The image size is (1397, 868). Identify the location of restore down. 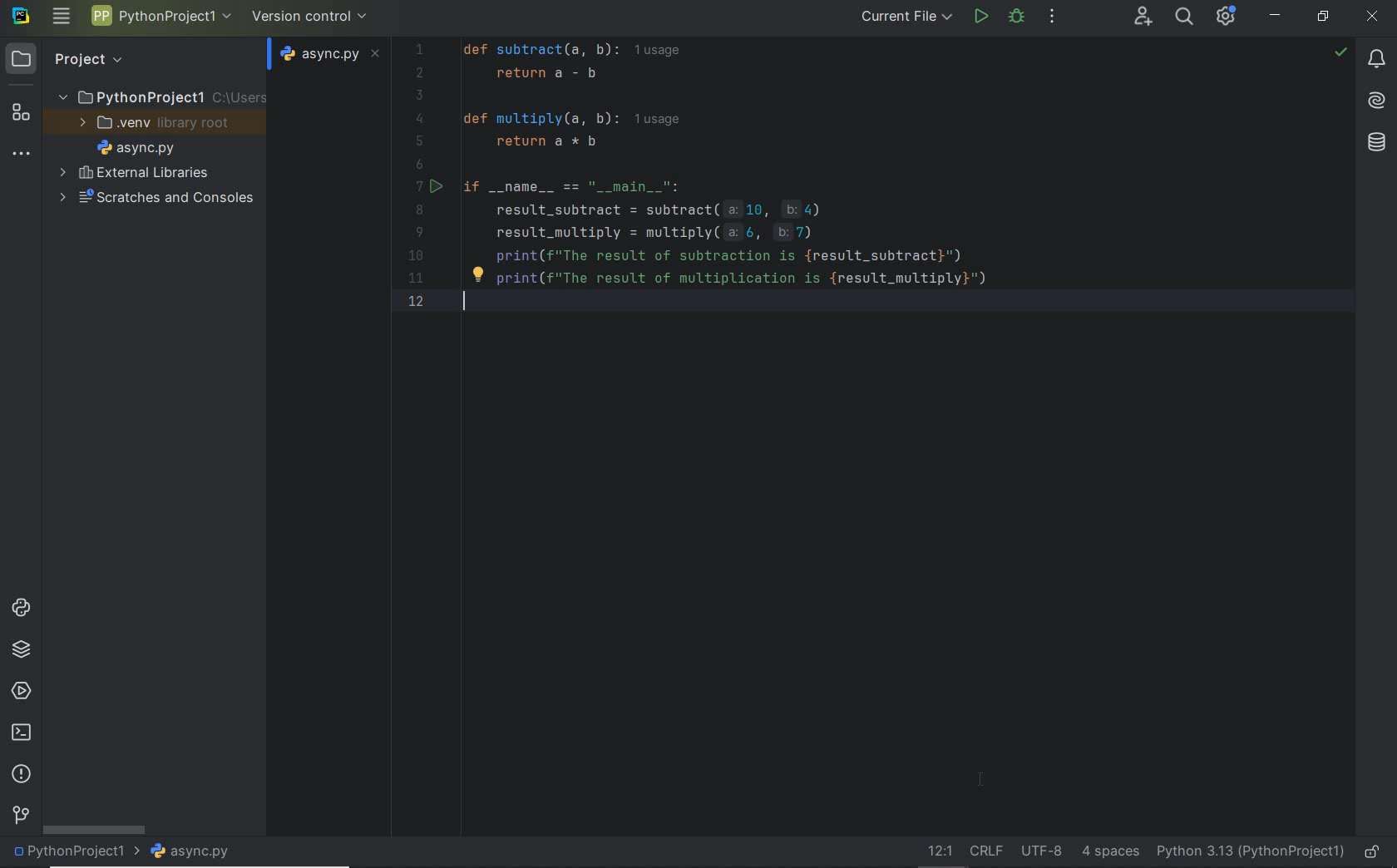
(1323, 20).